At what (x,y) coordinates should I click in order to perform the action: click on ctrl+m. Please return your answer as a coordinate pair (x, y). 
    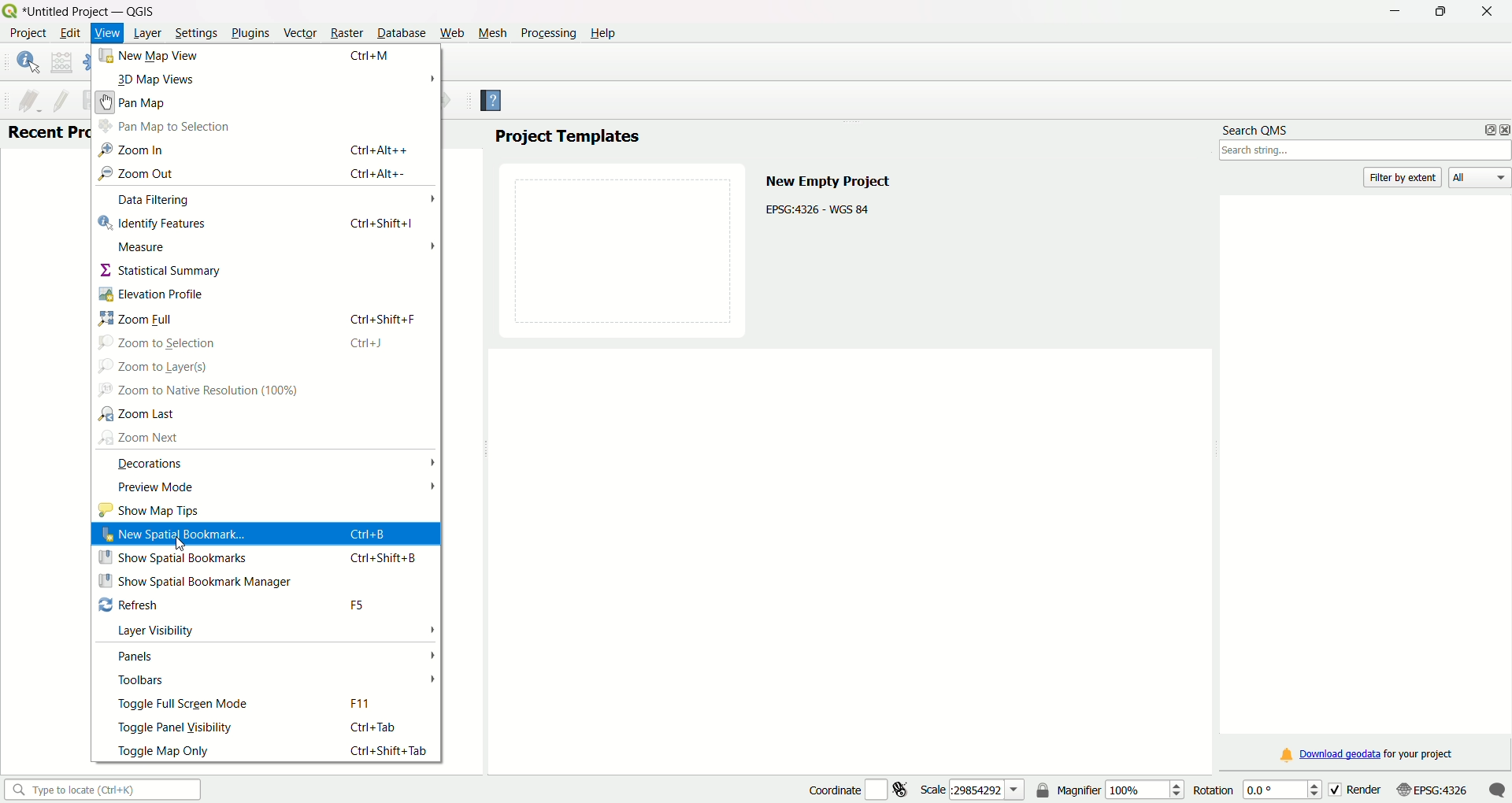
    Looking at the image, I should click on (372, 54).